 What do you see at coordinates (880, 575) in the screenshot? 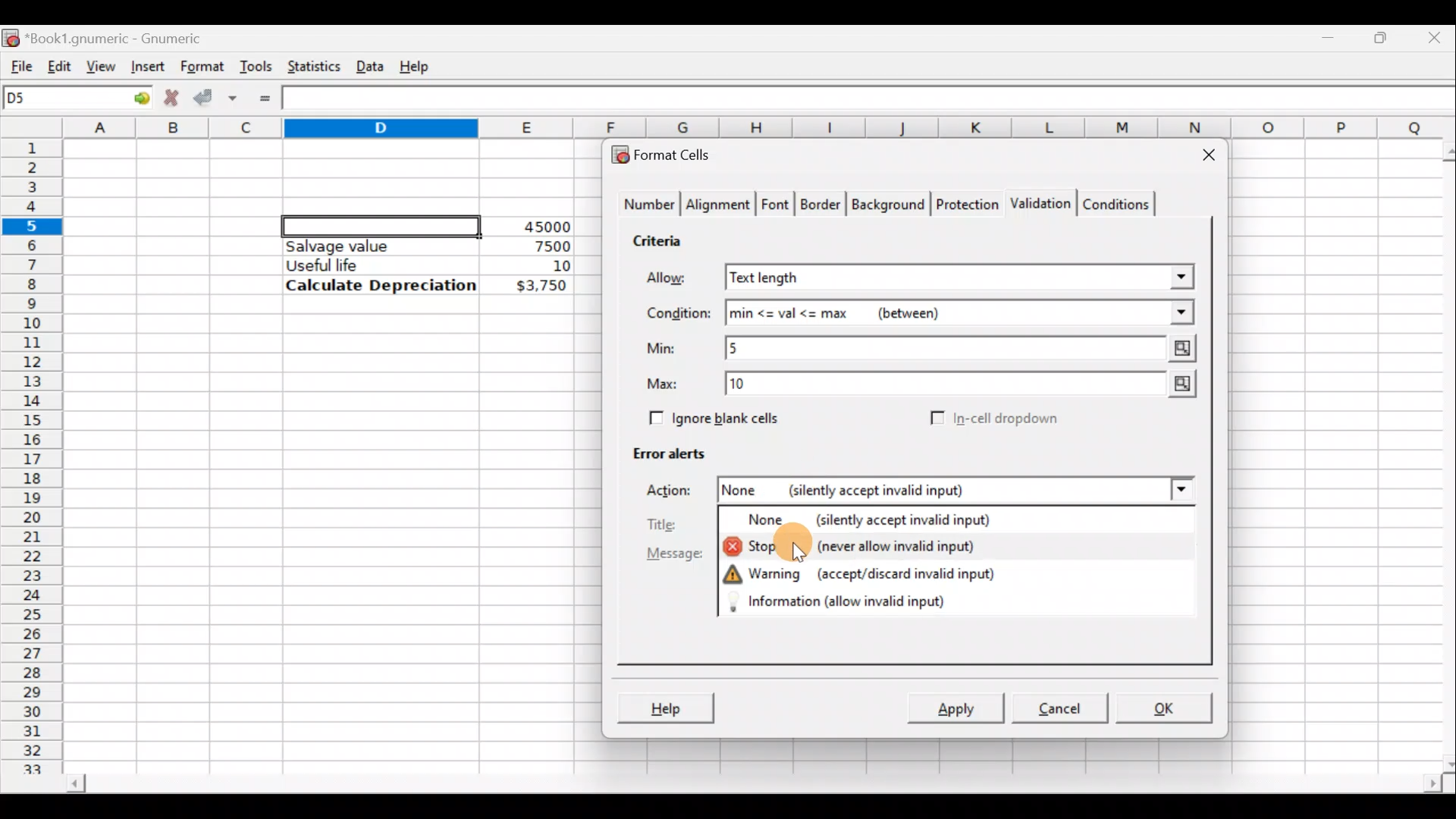
I see `Warning (accept/discard invalid input)` at bounding box center [880, 575].